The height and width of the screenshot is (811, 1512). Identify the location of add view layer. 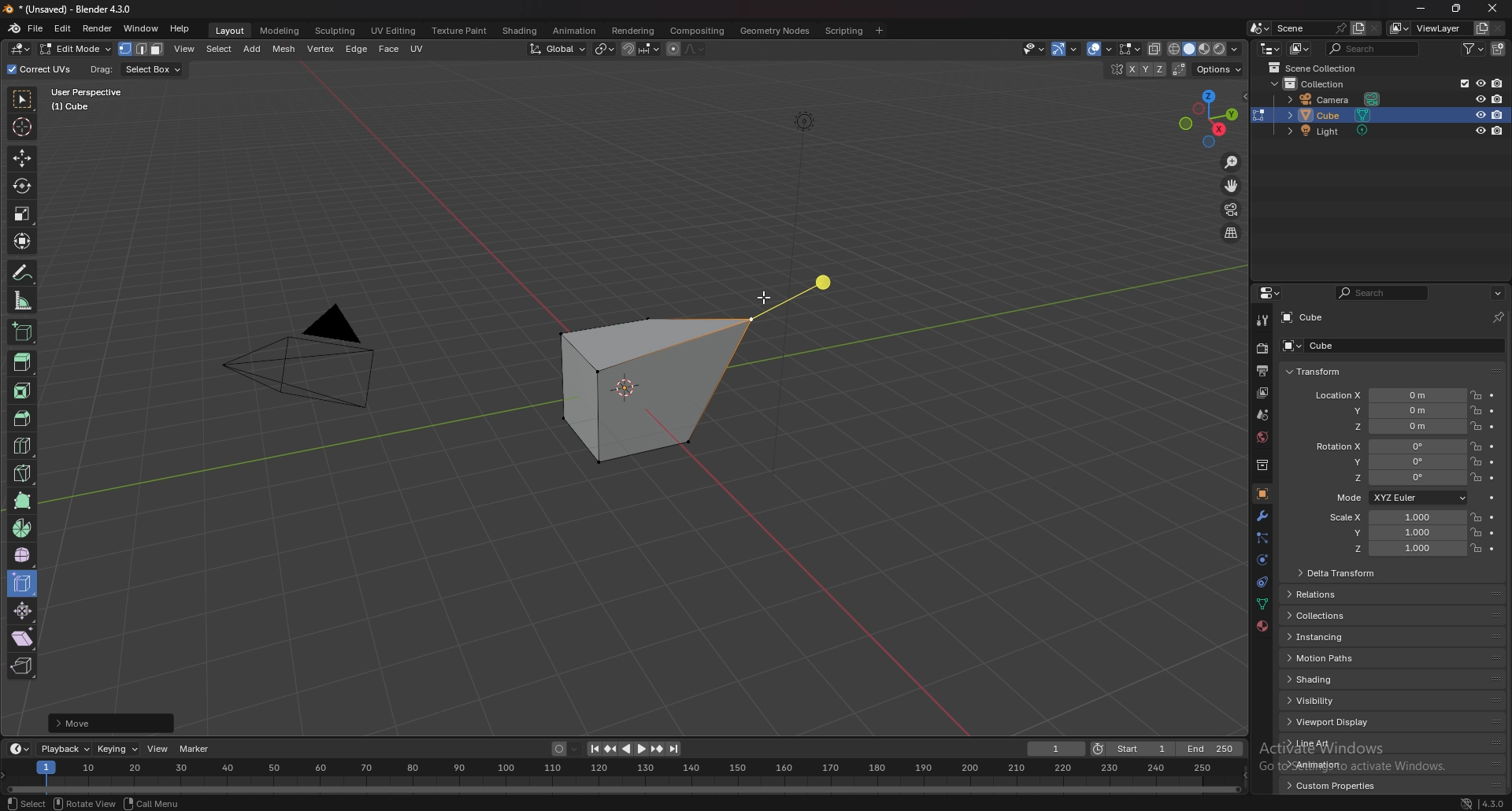
(1480, 28).